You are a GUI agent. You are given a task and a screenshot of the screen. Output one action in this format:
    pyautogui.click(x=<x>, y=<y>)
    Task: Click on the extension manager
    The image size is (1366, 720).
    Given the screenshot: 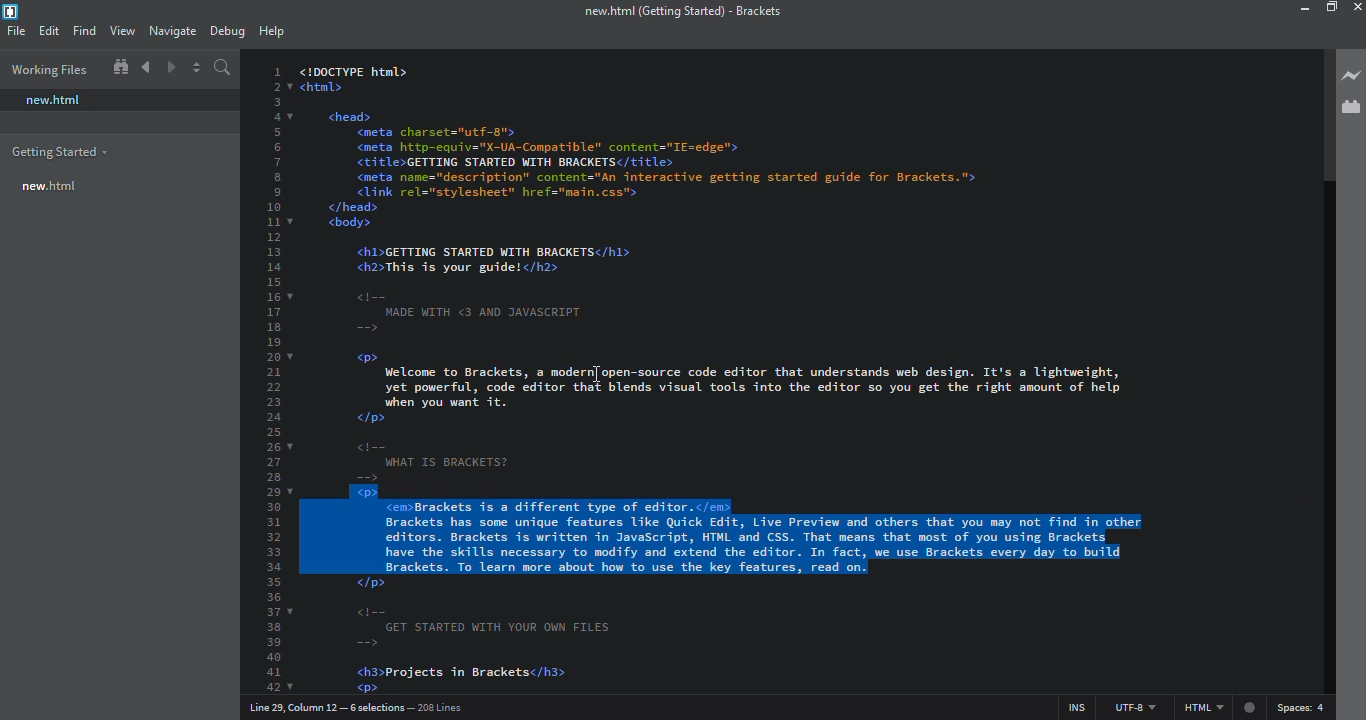 What is the action you would take?
    pyautogui.click(x=1349, y=106)
    